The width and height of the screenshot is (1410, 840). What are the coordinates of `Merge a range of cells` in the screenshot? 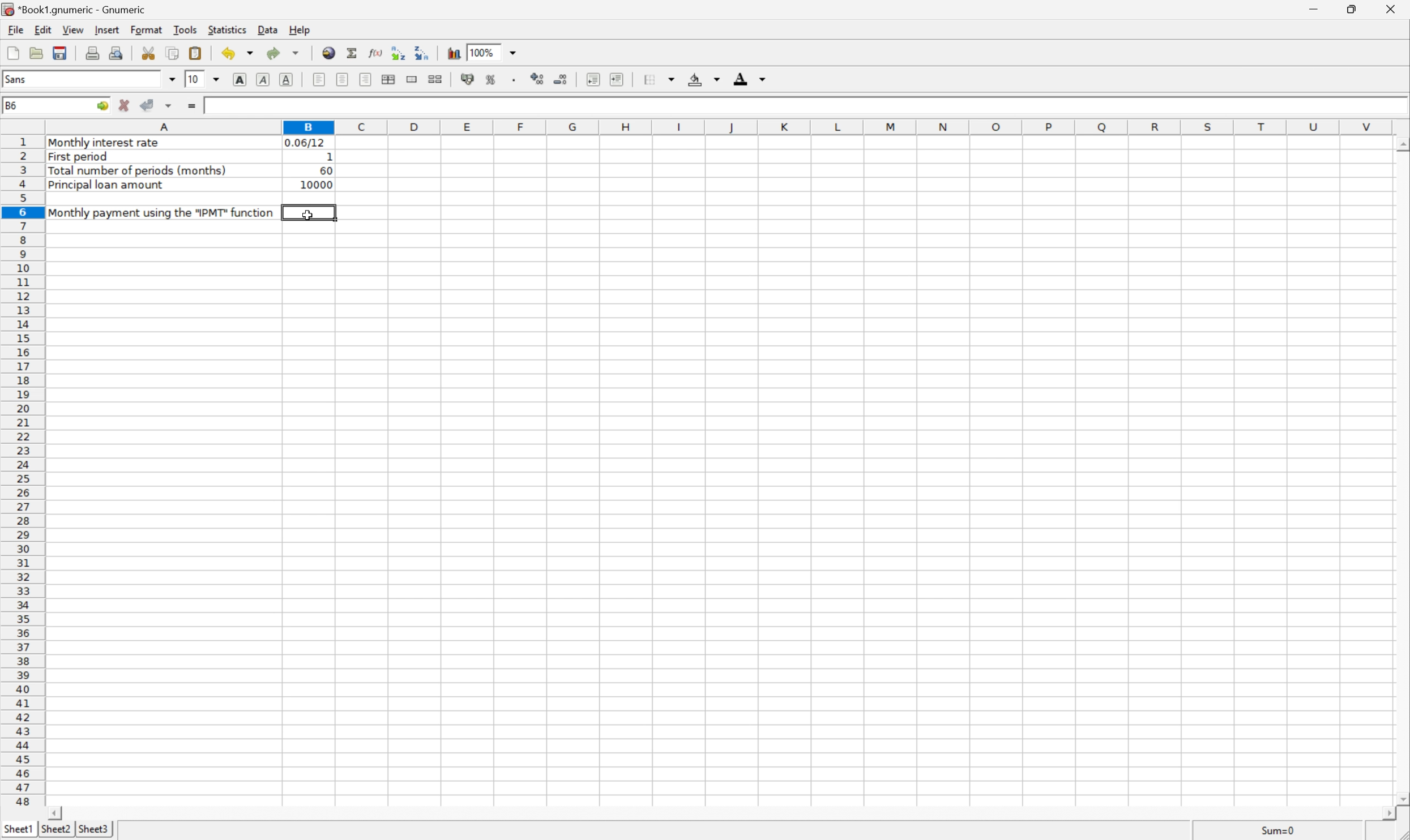 It's located at (413, 80).